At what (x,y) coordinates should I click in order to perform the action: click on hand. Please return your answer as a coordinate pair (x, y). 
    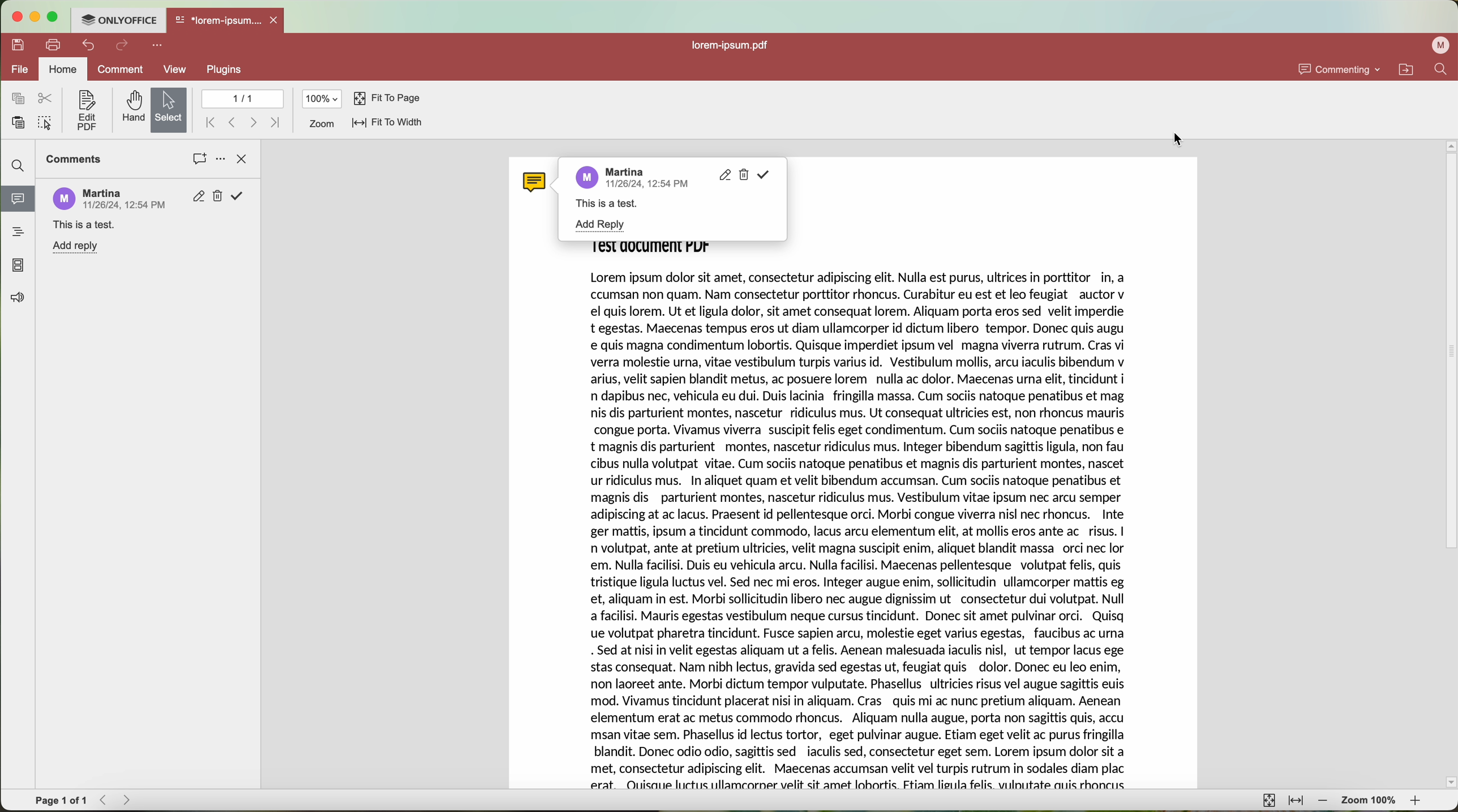
    Looking at the image, I should click on (131, 108).